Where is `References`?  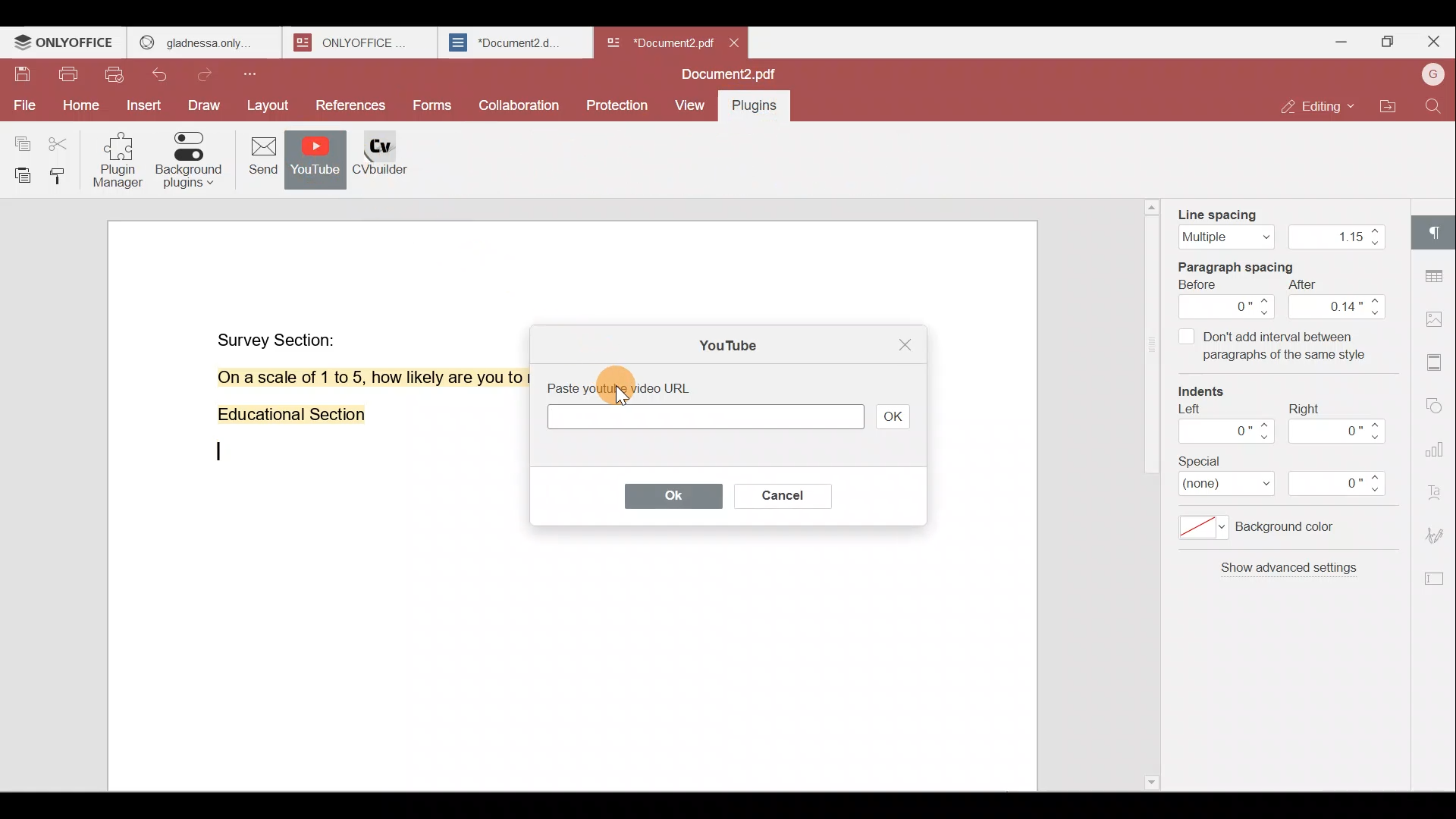 References is located at coordinates (352, 107).